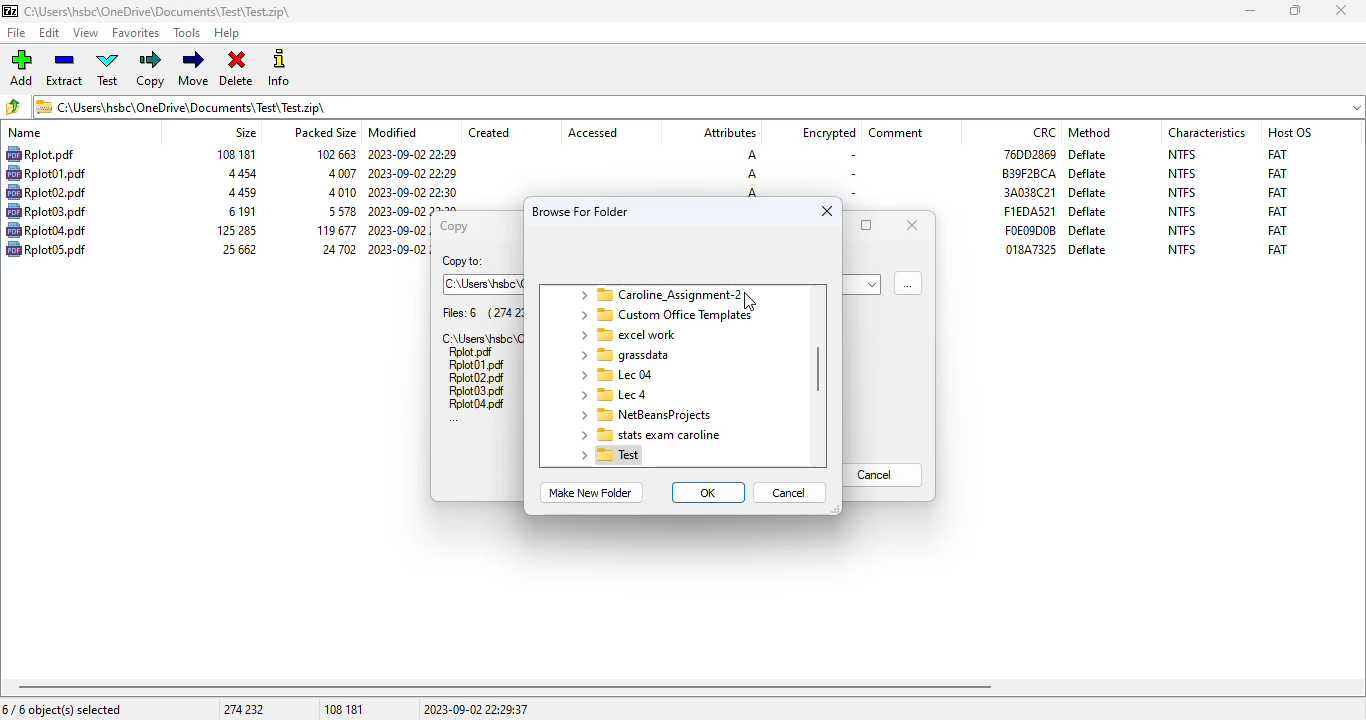 The image size is (1366, 720). I want to click on accessed, so click(593, 133).